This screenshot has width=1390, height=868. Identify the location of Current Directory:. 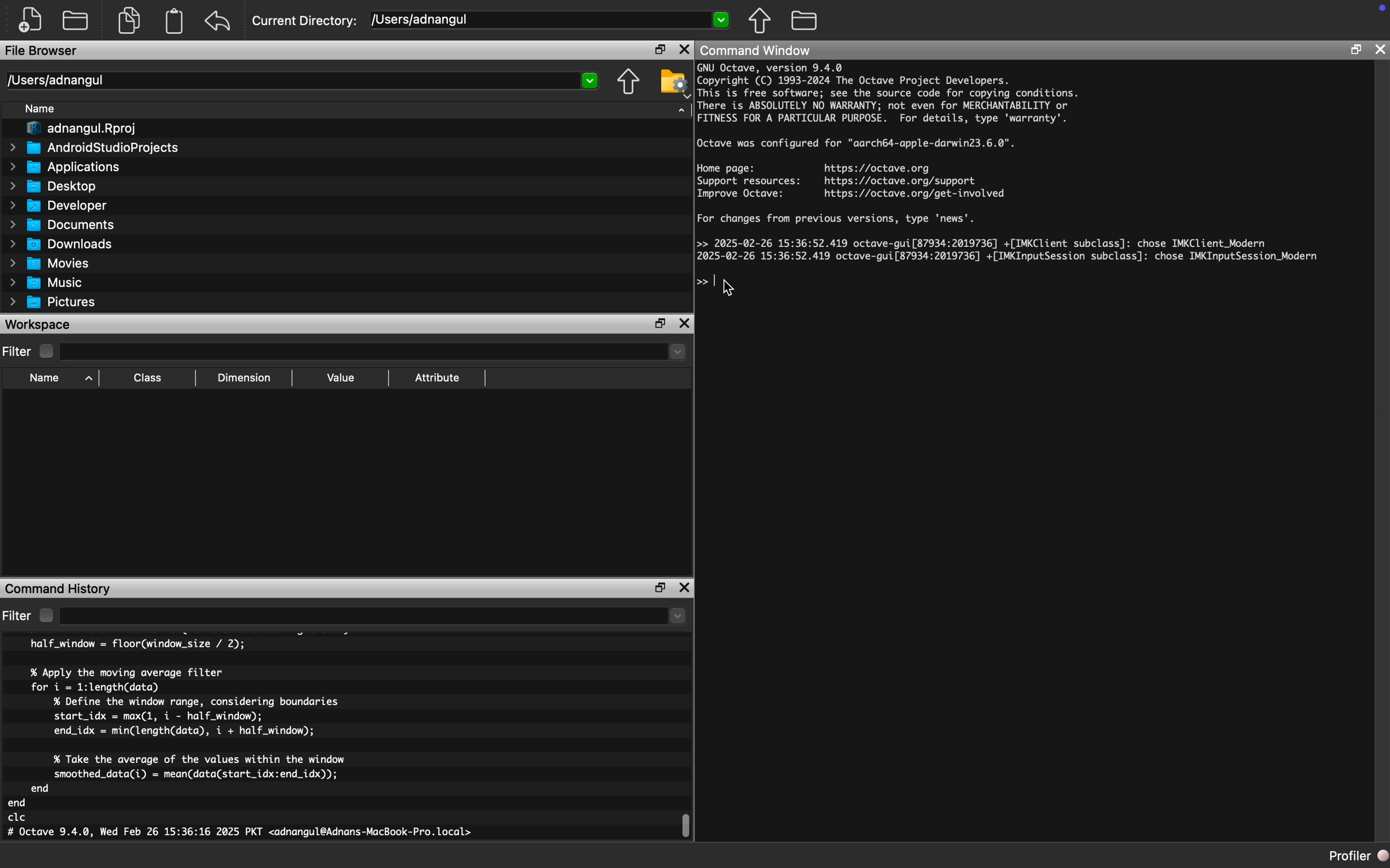
(307, 22).